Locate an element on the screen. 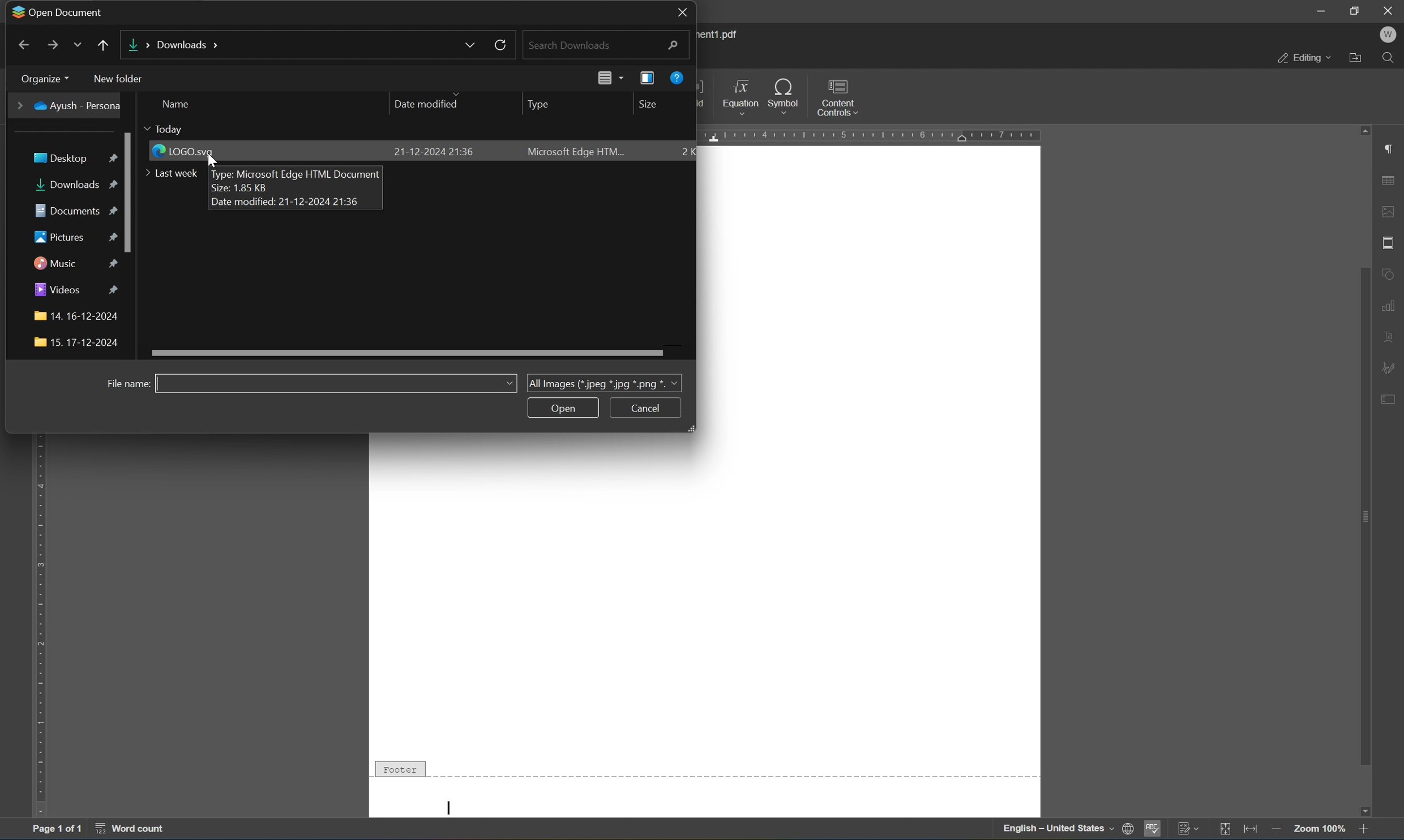  name is located at coordinates (175, 106).